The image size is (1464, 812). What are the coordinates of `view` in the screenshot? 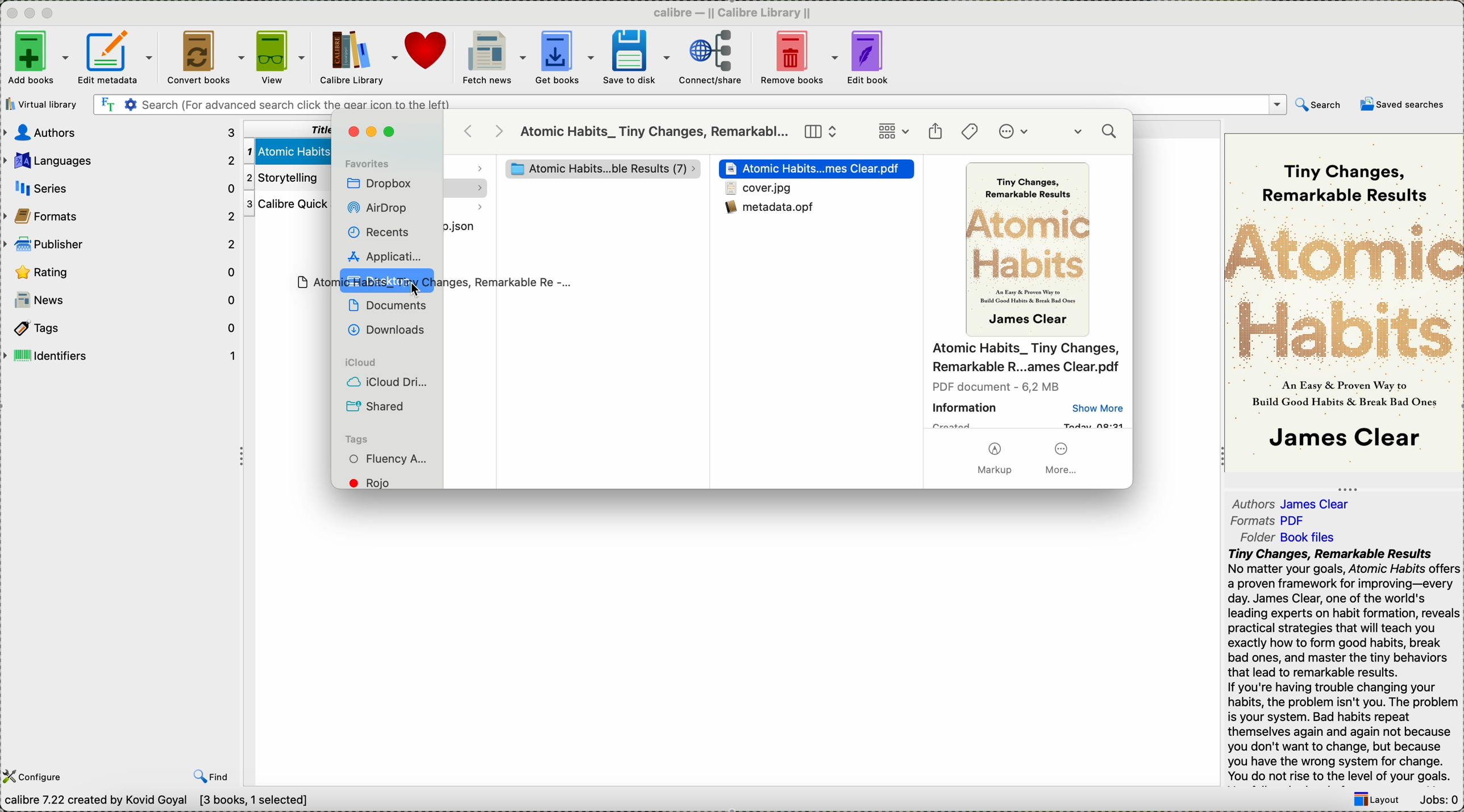 It's located at (281, 58).